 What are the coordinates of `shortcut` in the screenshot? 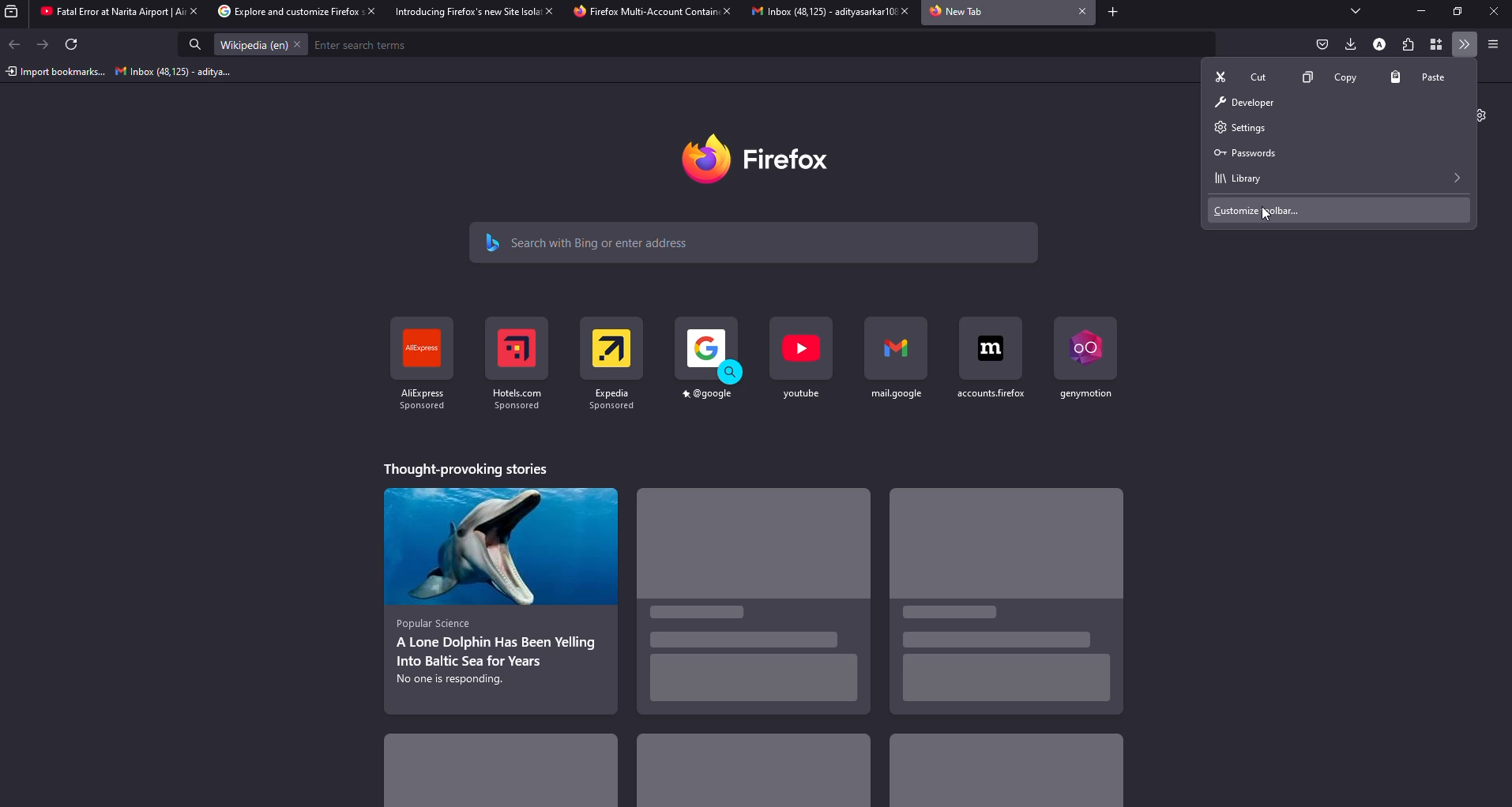 It's located at (611, 362).